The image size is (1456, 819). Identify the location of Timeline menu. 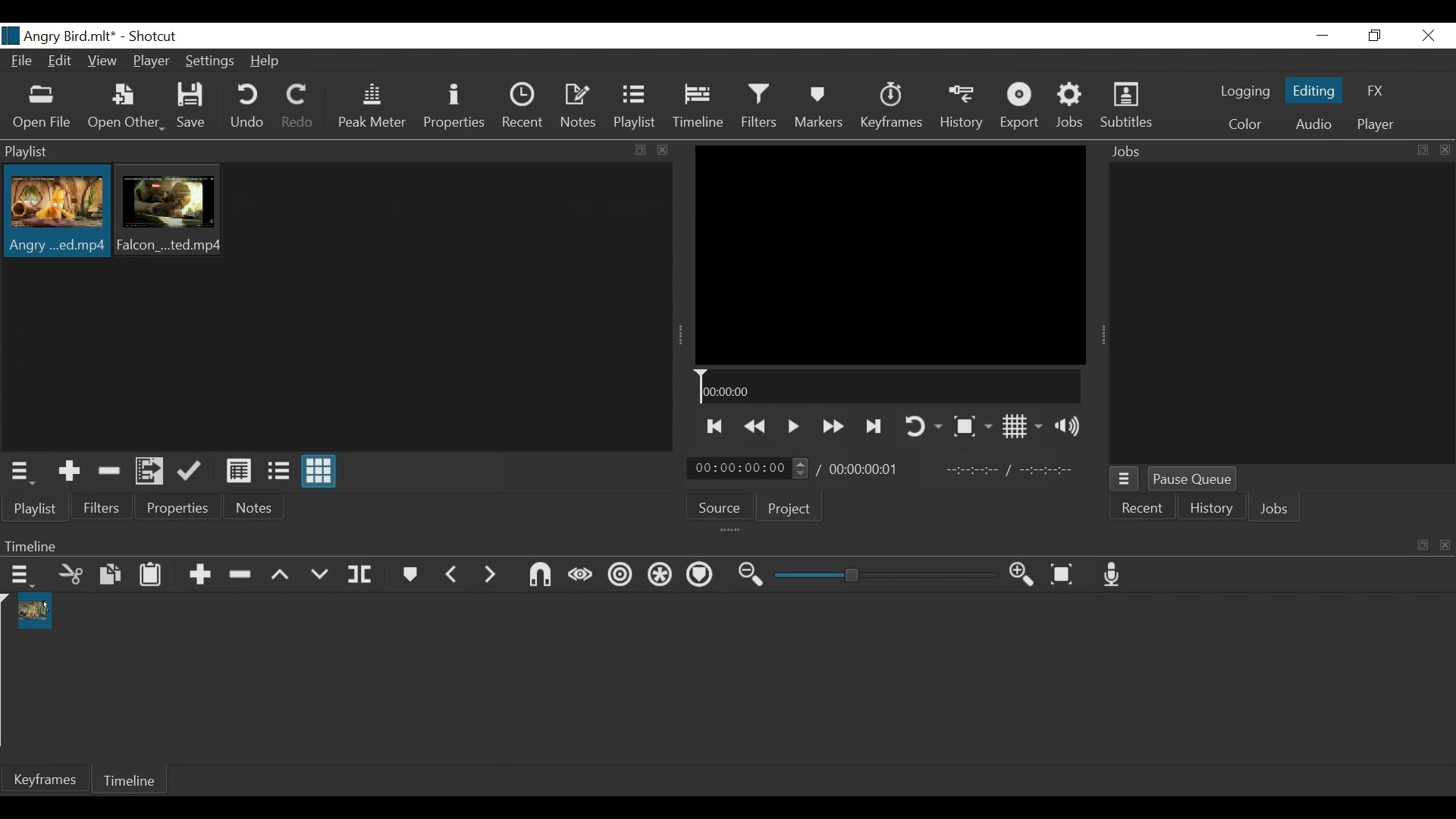
(724, 545).